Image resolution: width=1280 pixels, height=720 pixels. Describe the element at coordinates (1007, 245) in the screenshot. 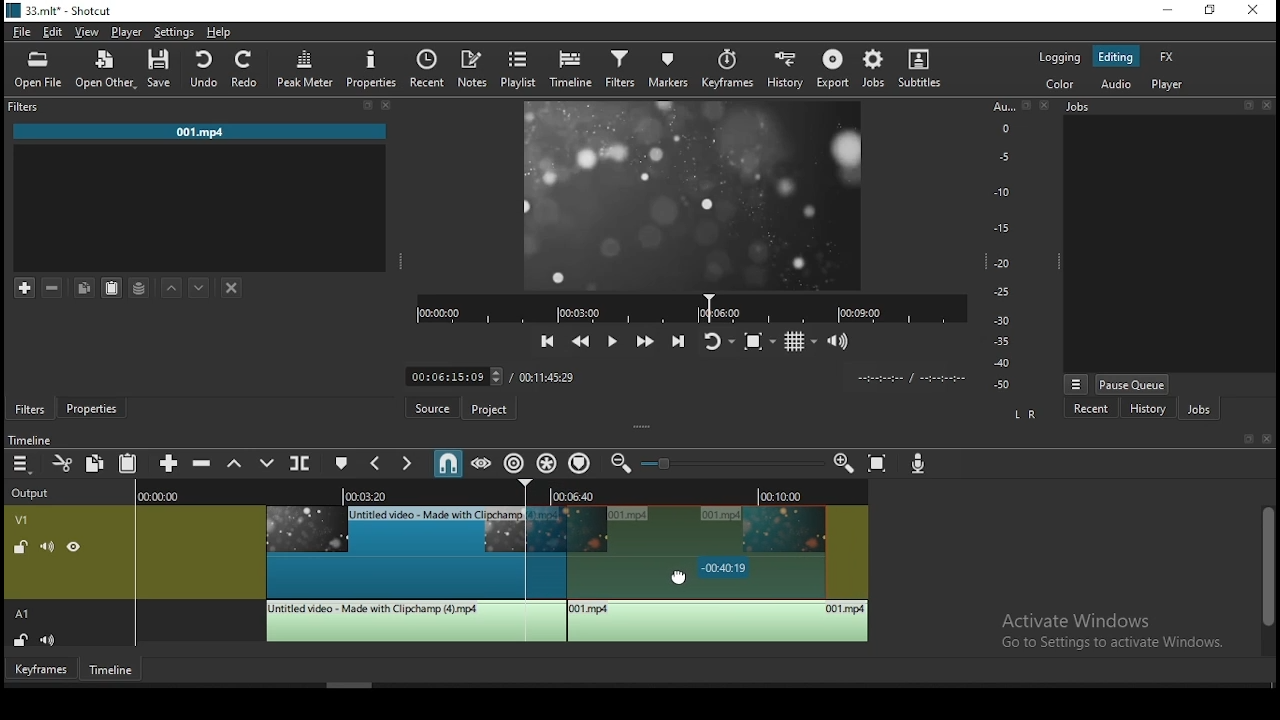

I see `scale` at that location.